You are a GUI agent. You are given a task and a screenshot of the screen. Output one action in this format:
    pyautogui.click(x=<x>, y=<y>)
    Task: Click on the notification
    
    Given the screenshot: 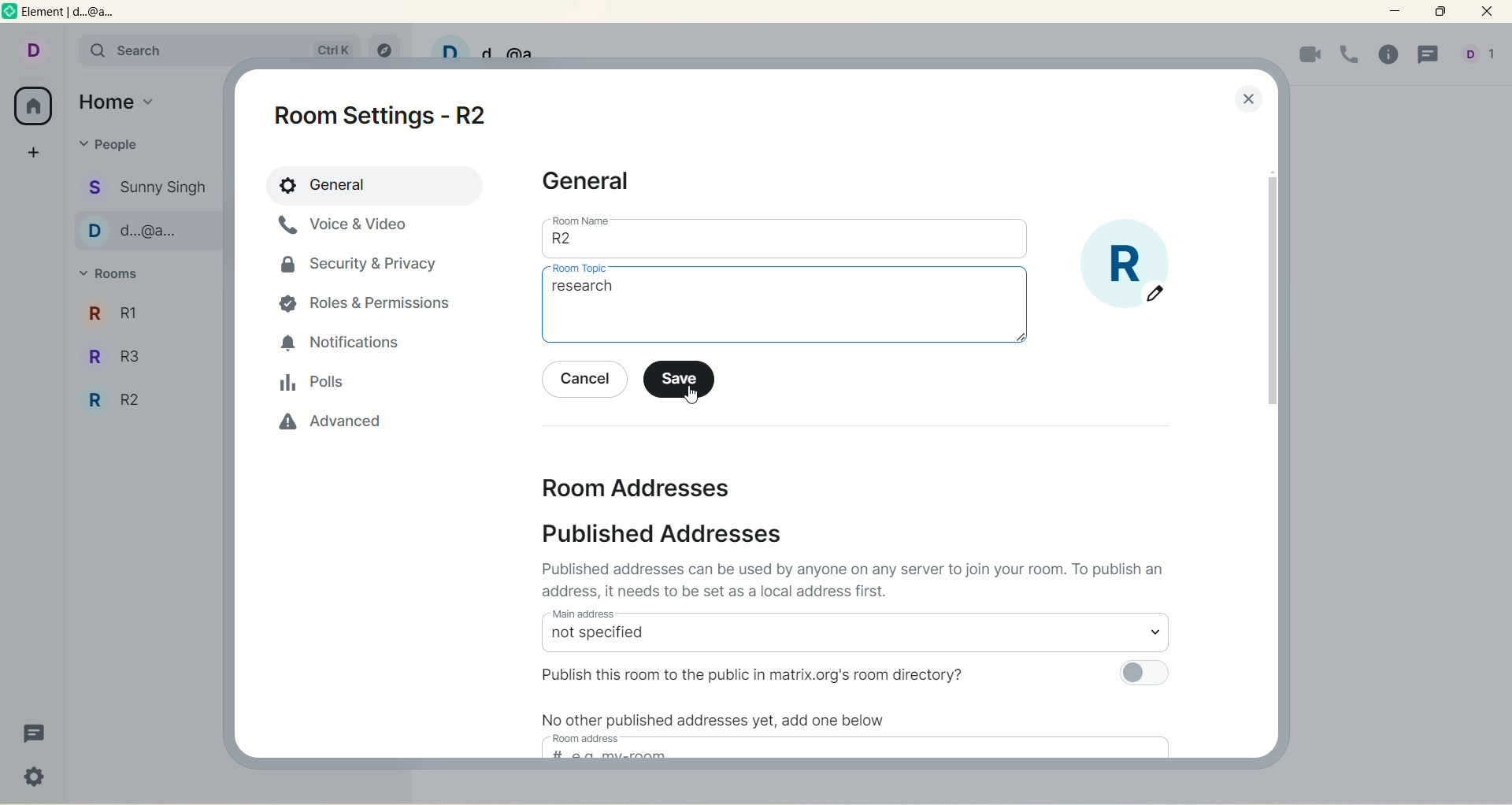 What is the action you would take?
    pyautogui.click(x=344, y=344)
    